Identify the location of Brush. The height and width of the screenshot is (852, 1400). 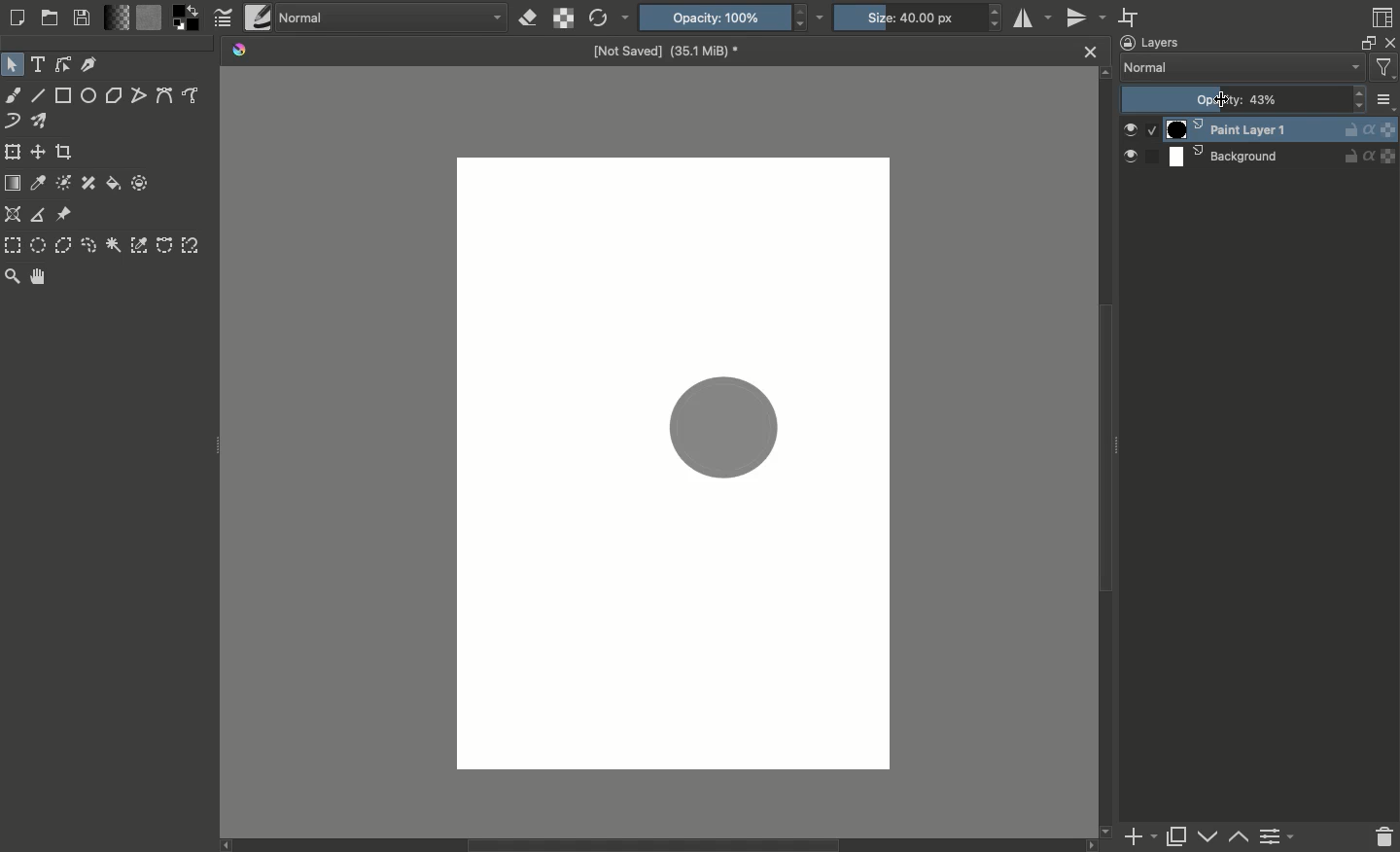
(258, 17).